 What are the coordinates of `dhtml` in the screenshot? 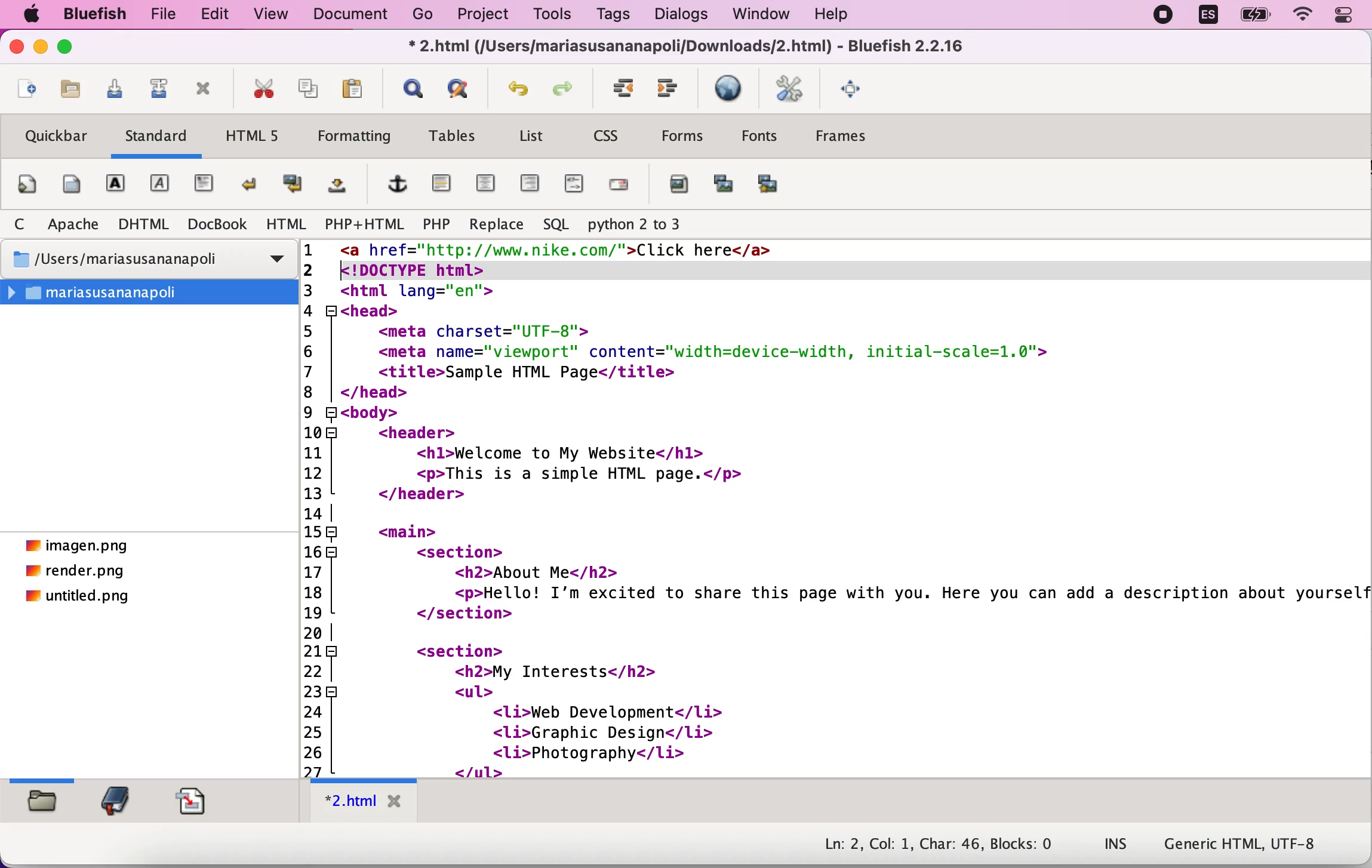 It's located at (140, 223).